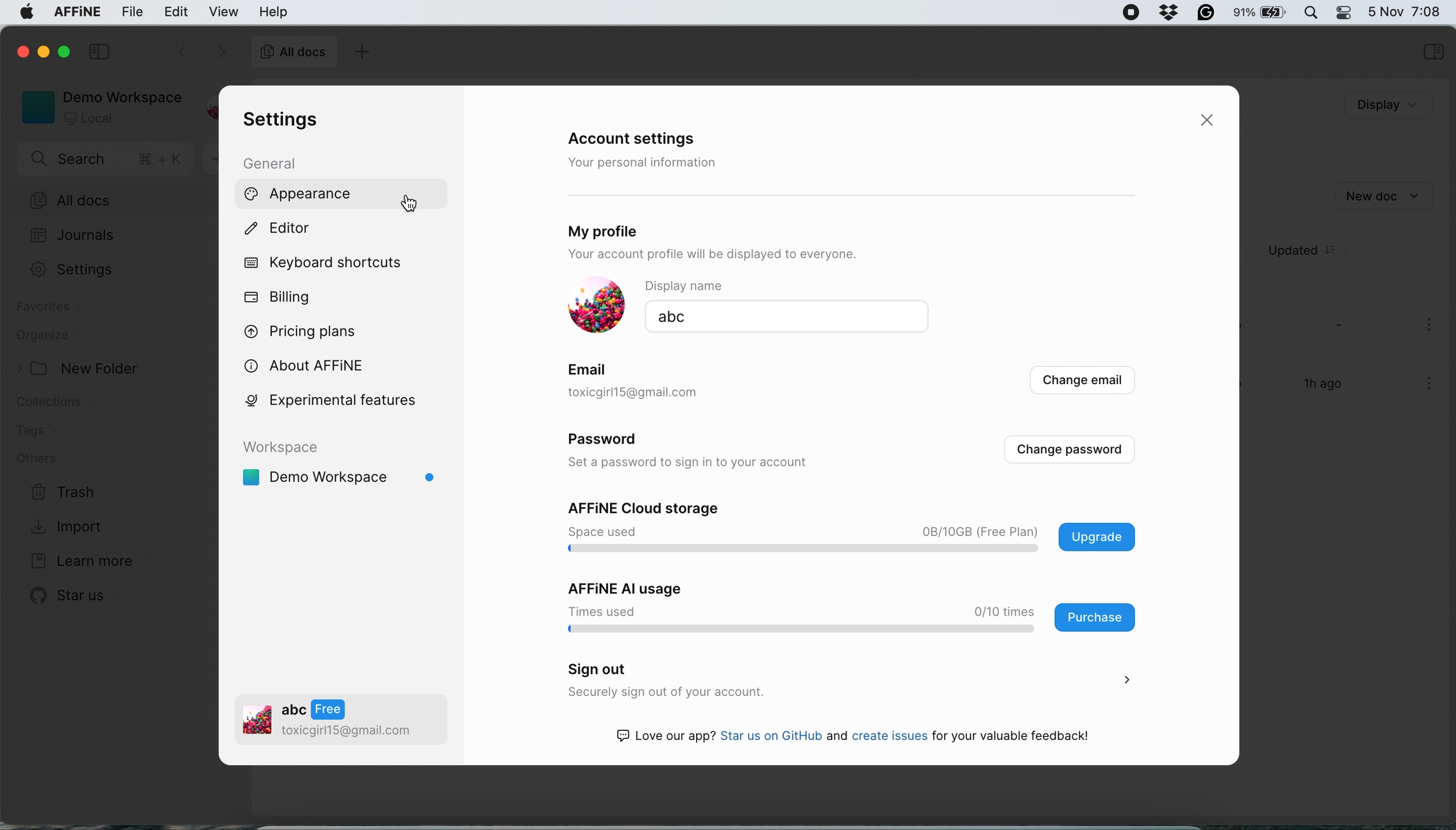 The width and height of the screenshot is (1456, 830). What do you see at coordinates (77, 367) in the screenshot?
I see `» [J New Folder` at bounding box center [77, 367].